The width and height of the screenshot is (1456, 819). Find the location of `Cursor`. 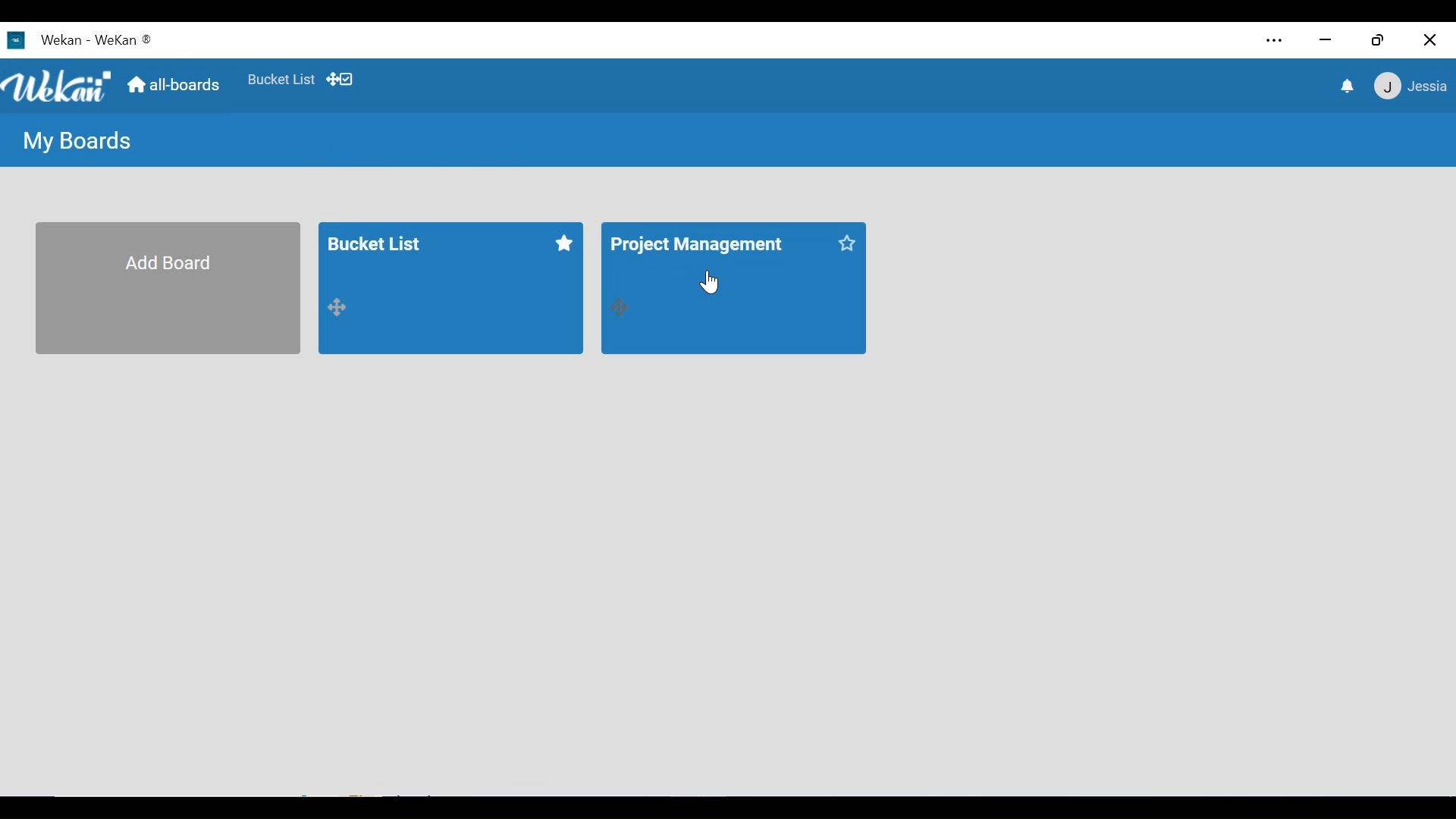

Cursor is located at coordinates (708, 283).